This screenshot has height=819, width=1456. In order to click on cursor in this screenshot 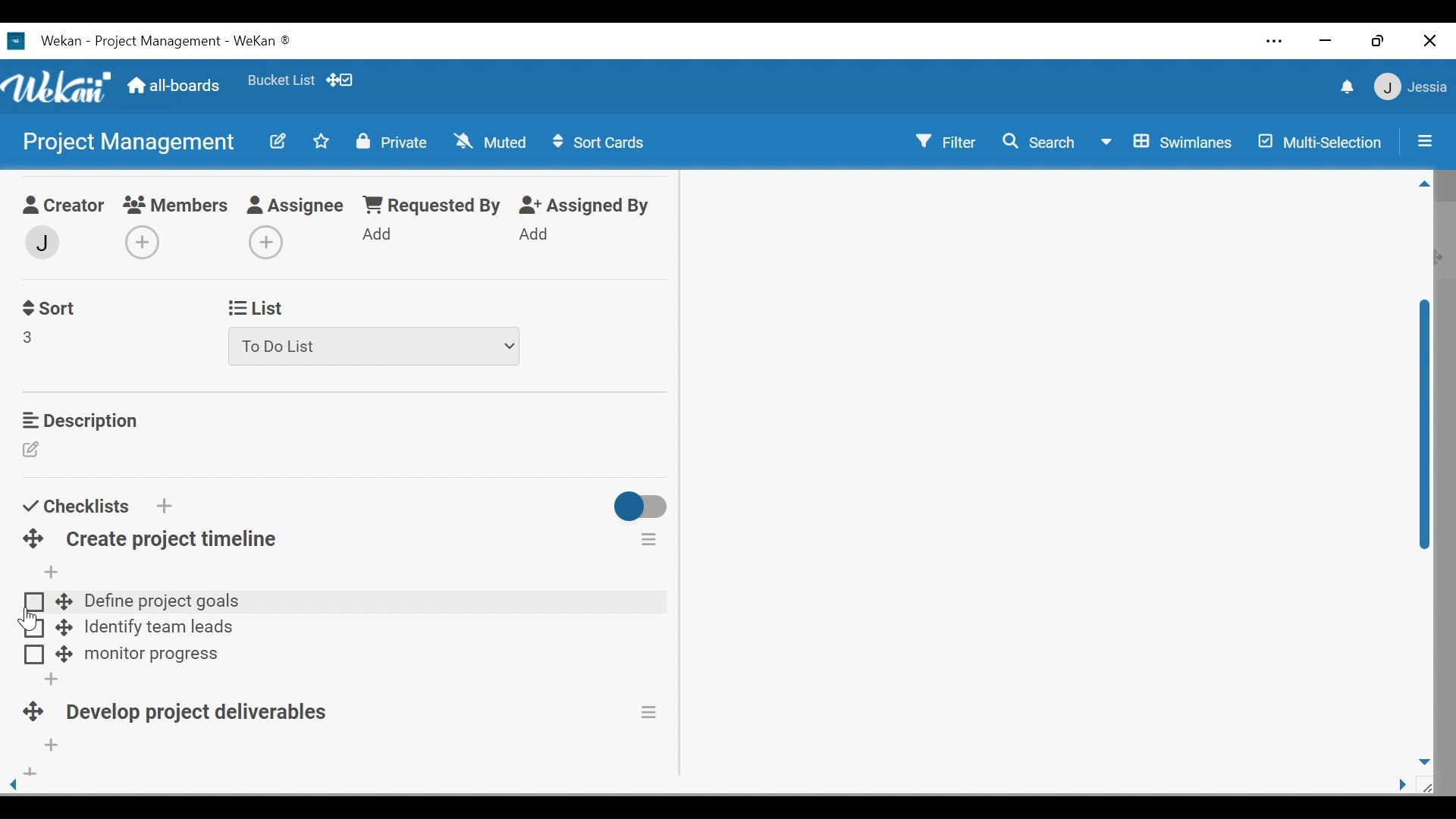, I will do `click(27, 616)`.